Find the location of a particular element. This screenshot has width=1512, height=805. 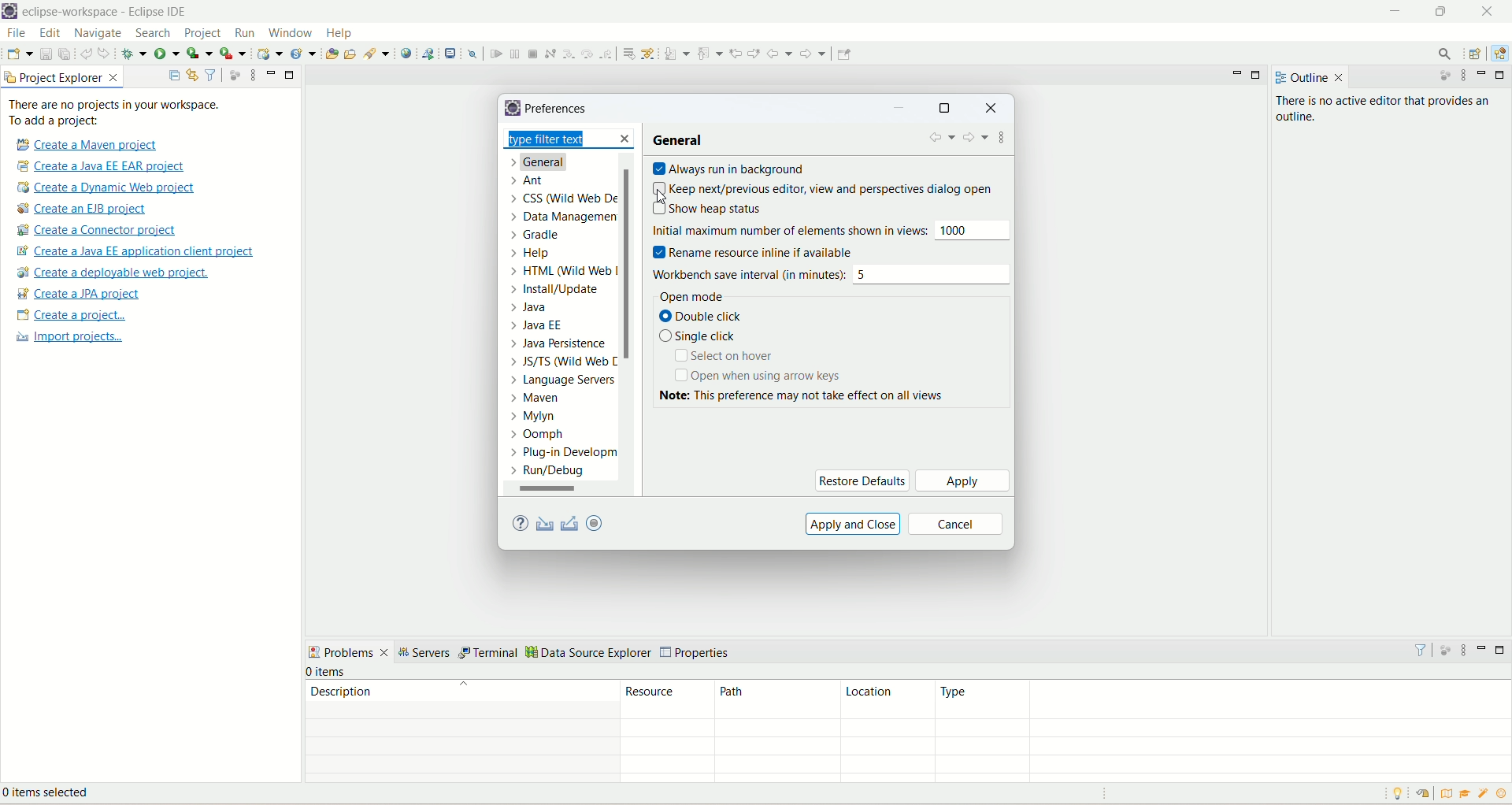

back is located at coordinates (941, 140).